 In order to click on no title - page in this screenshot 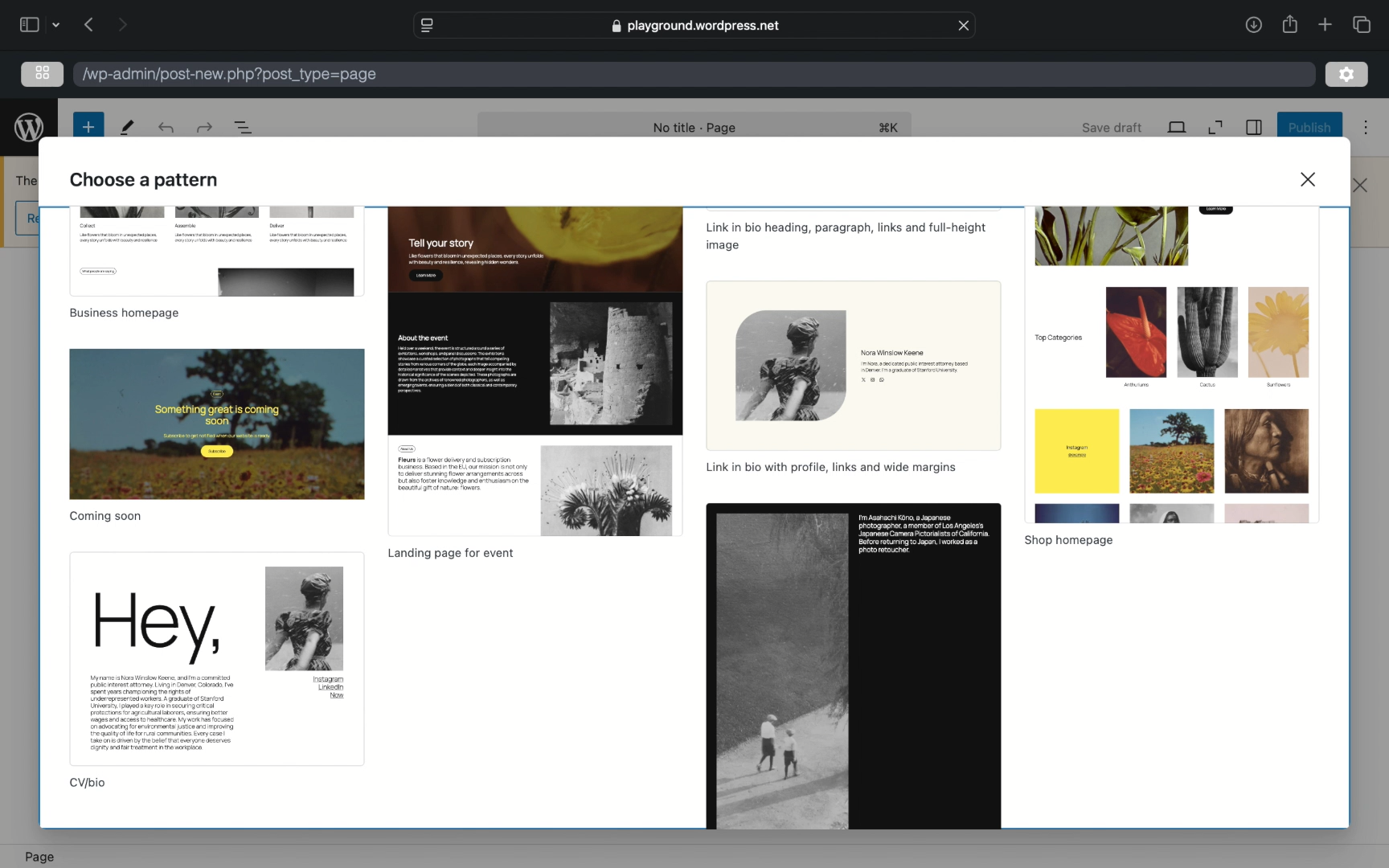, I will do `click(695, 129)`.